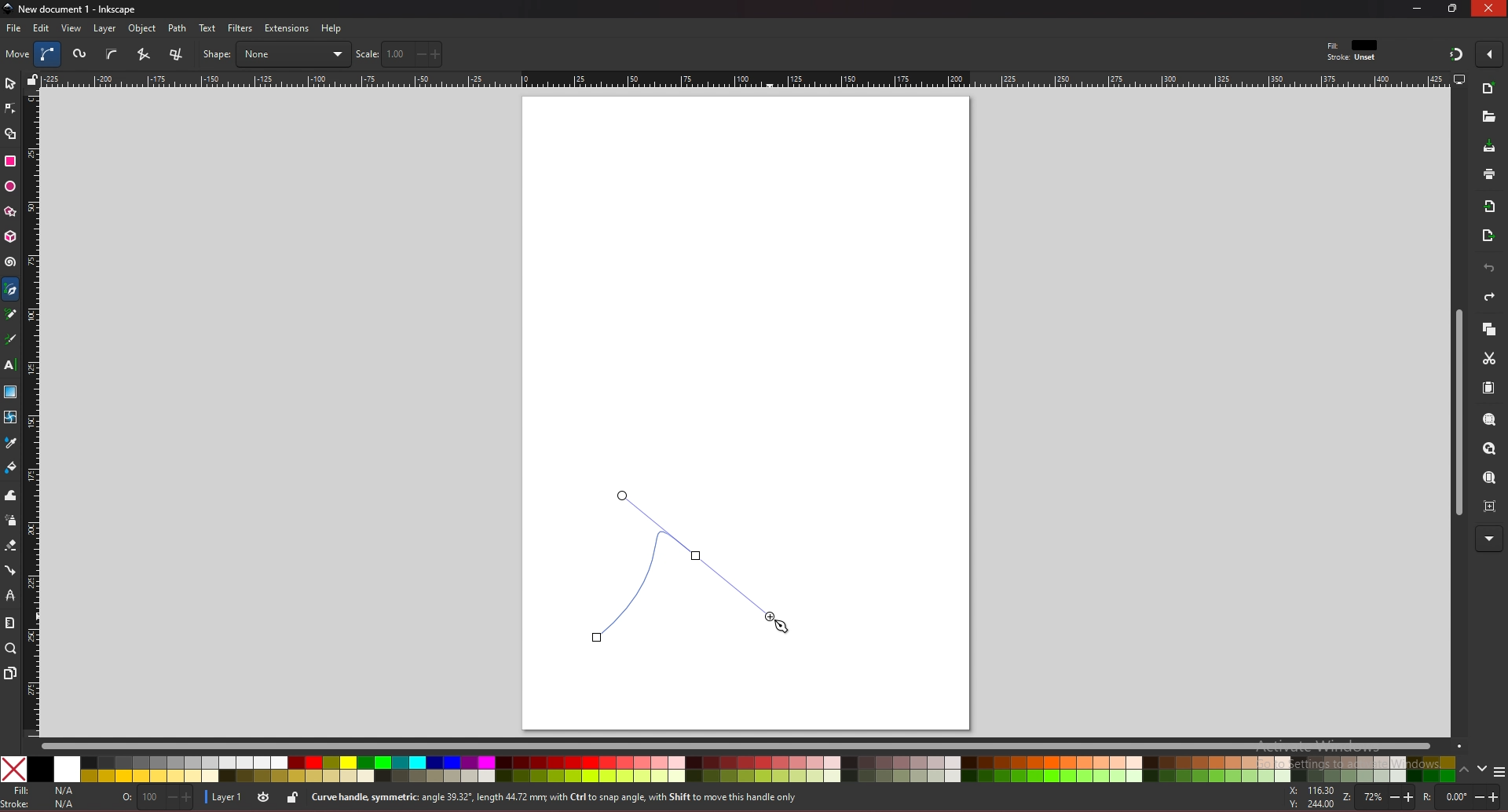  What do you see at coordinates (1489, 53) in the screenshot?
I see `enable snapping` at bounding box center [1489, 53].